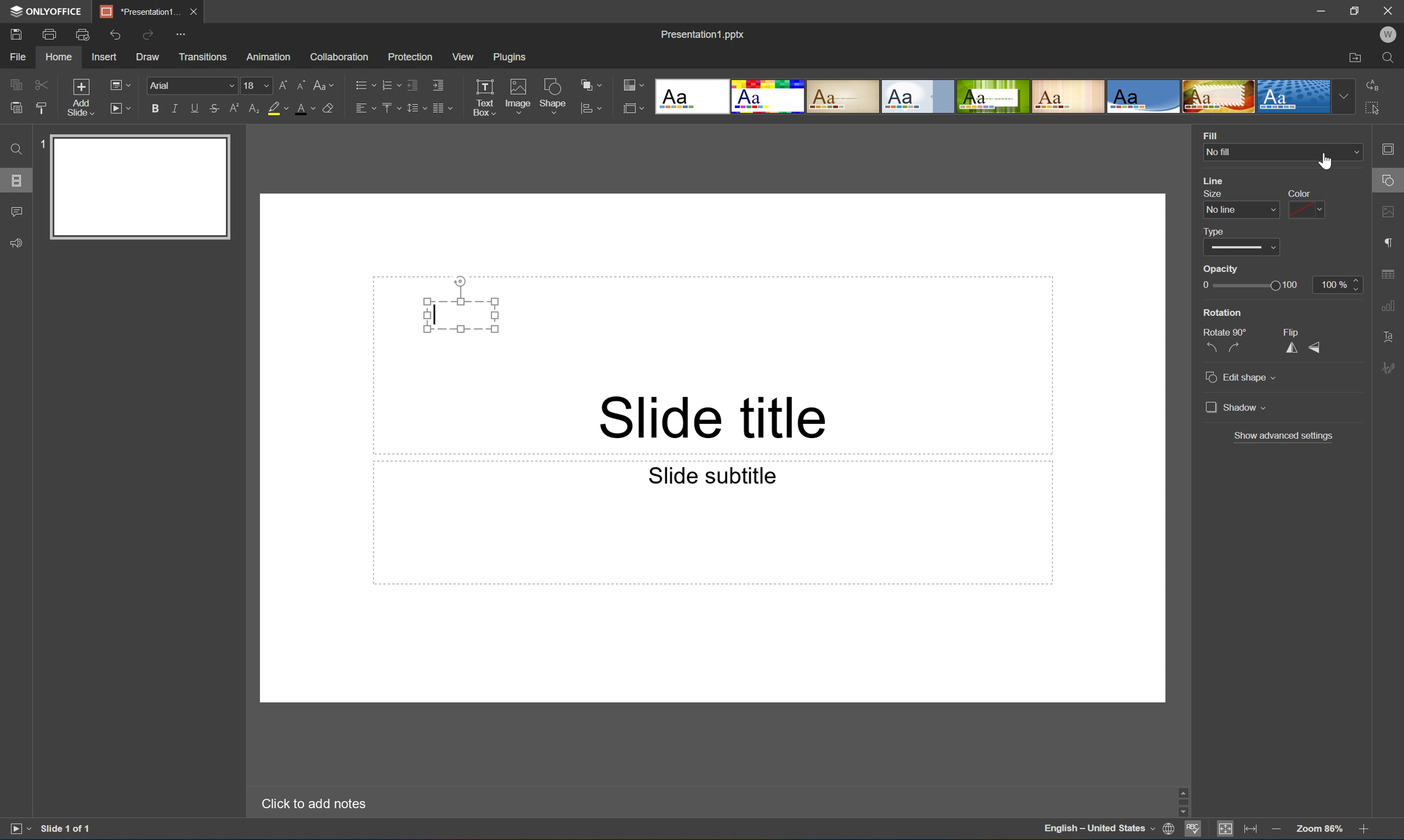  I want to click on Change color theme, so click(633, 86).